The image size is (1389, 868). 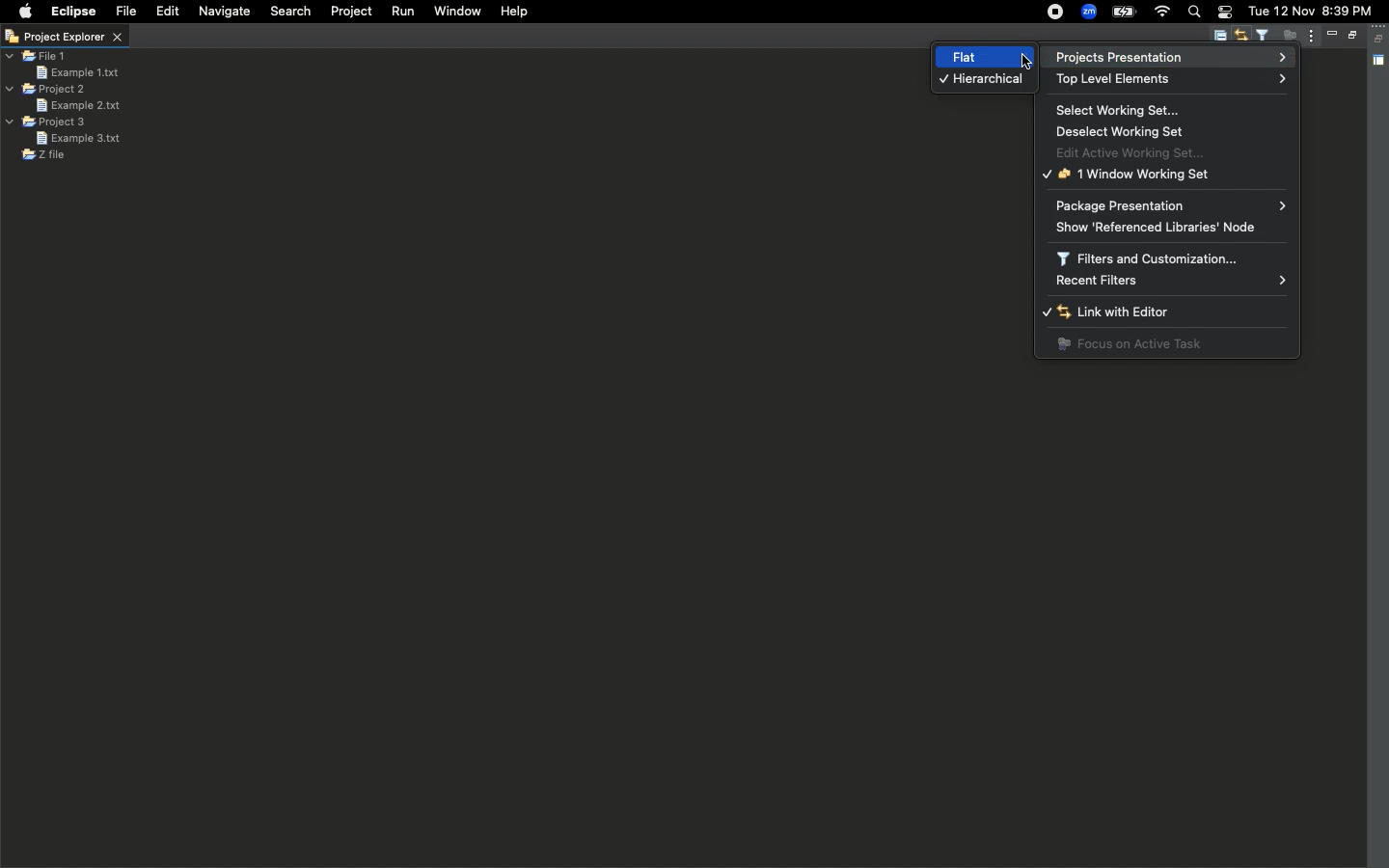 I want to click on Recording, so click(x=1056, y=13).